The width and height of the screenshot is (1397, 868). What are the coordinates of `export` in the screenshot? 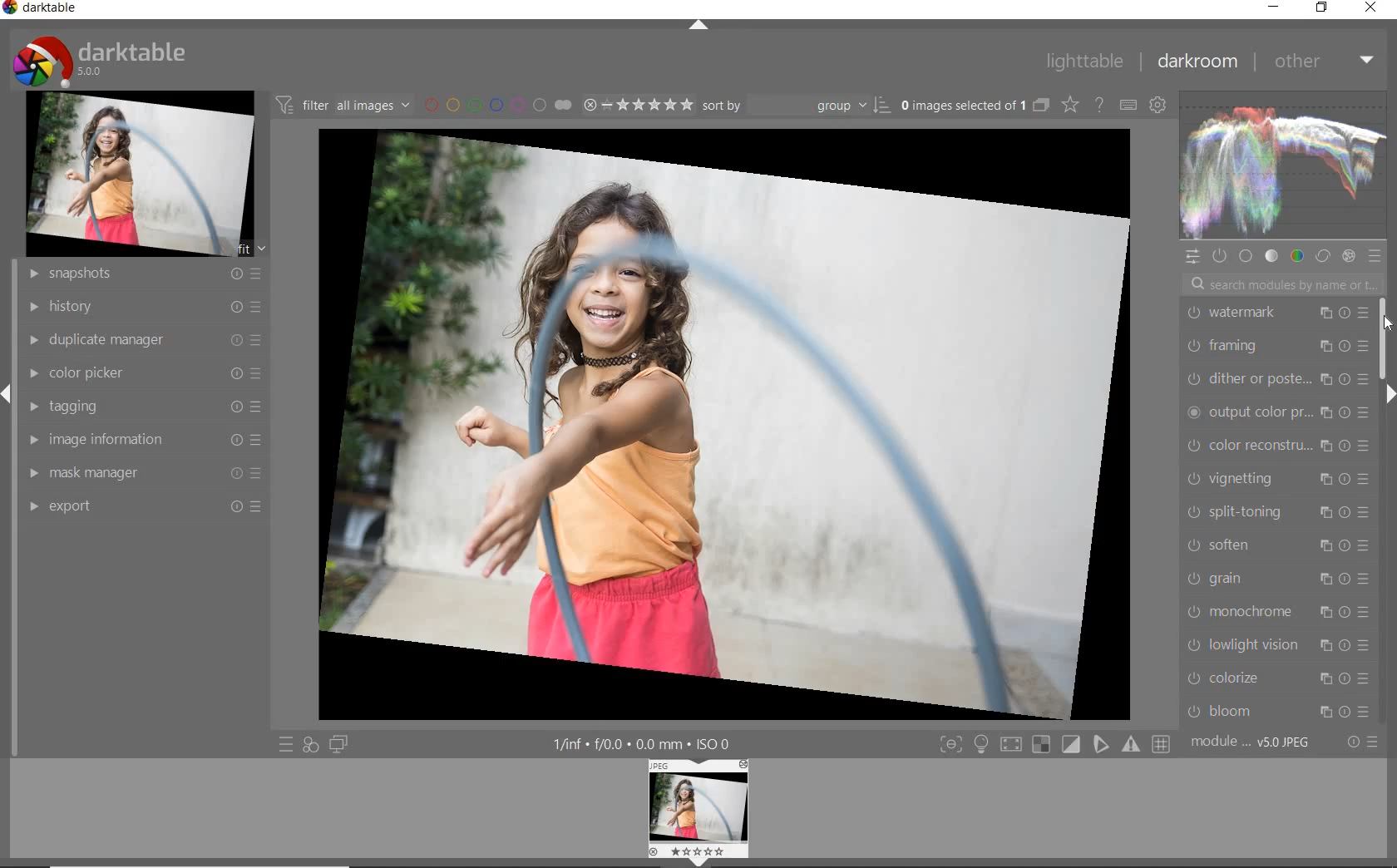 It's located at (146, 505).